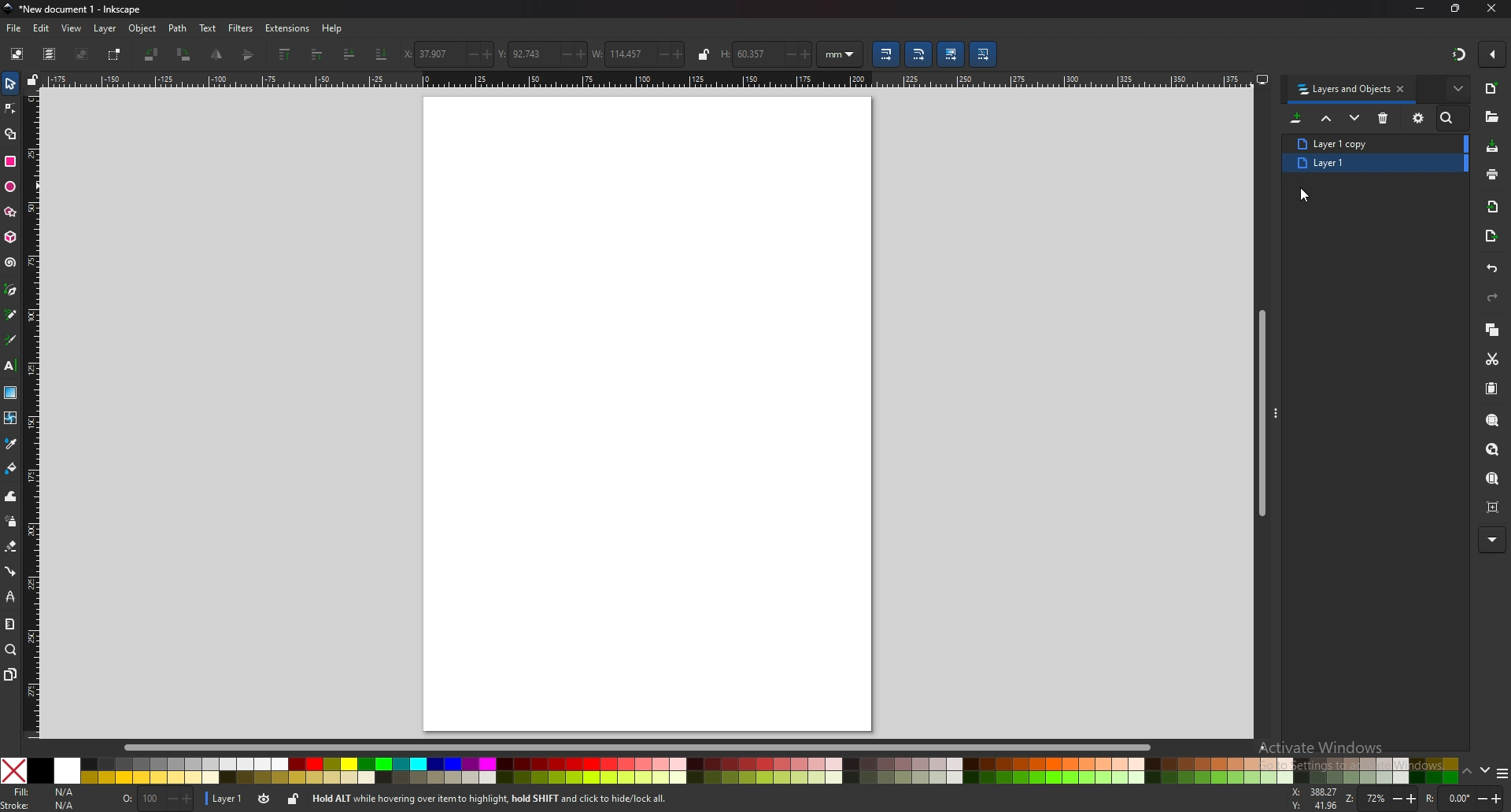 The width and height of the screenshot is (1511, 812). Describe the element at coordinates (1419, 118) in the screenshot. I see `settings` at that location.